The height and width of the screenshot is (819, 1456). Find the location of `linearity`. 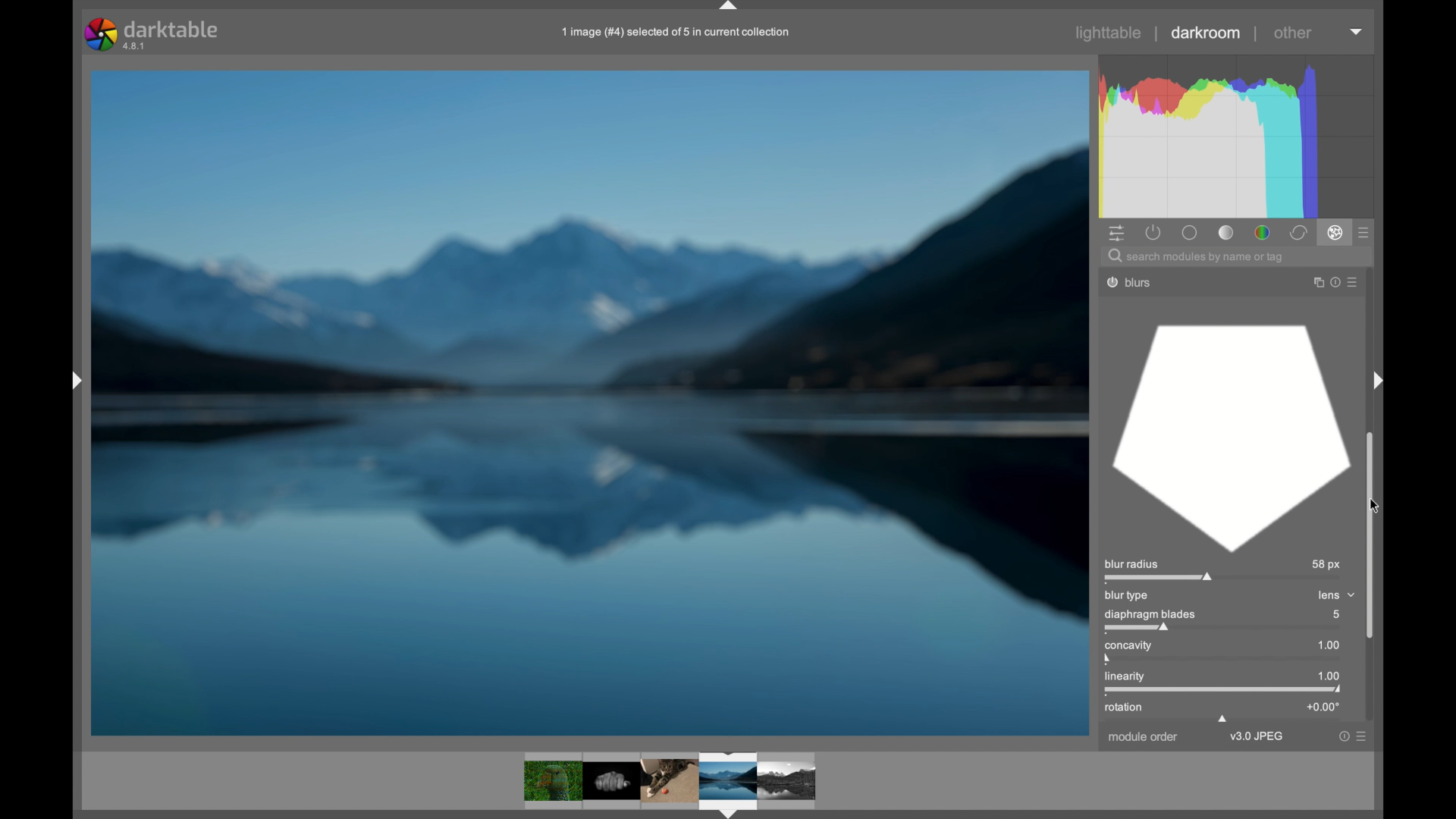

linearity is located at coordinates (1125, 677).